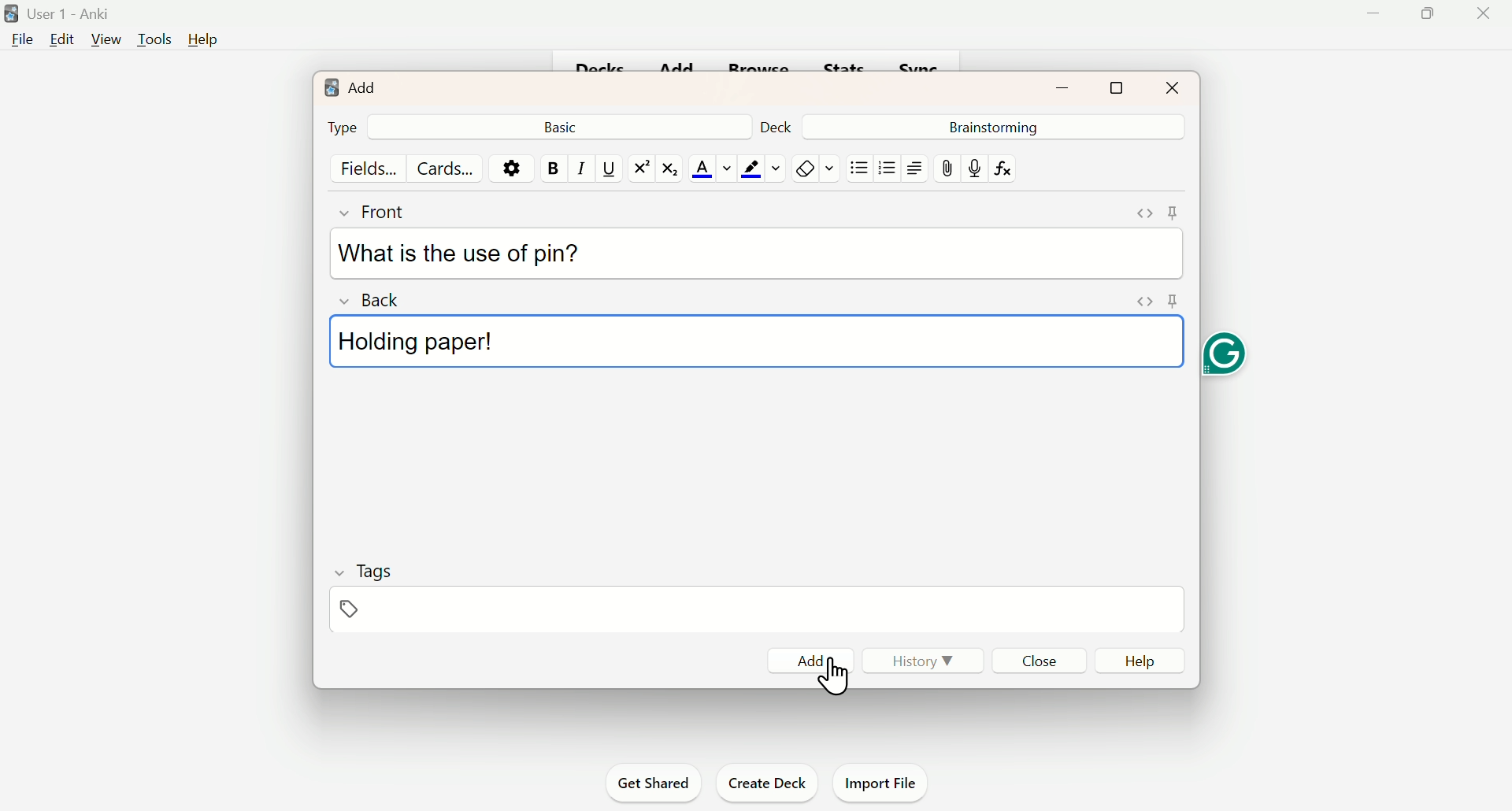 This screenshot has width=1512, height=811. What do you see at coordinates (552, 168) in the screenshot?
I see `Bold` at bounding box center [552, 168].